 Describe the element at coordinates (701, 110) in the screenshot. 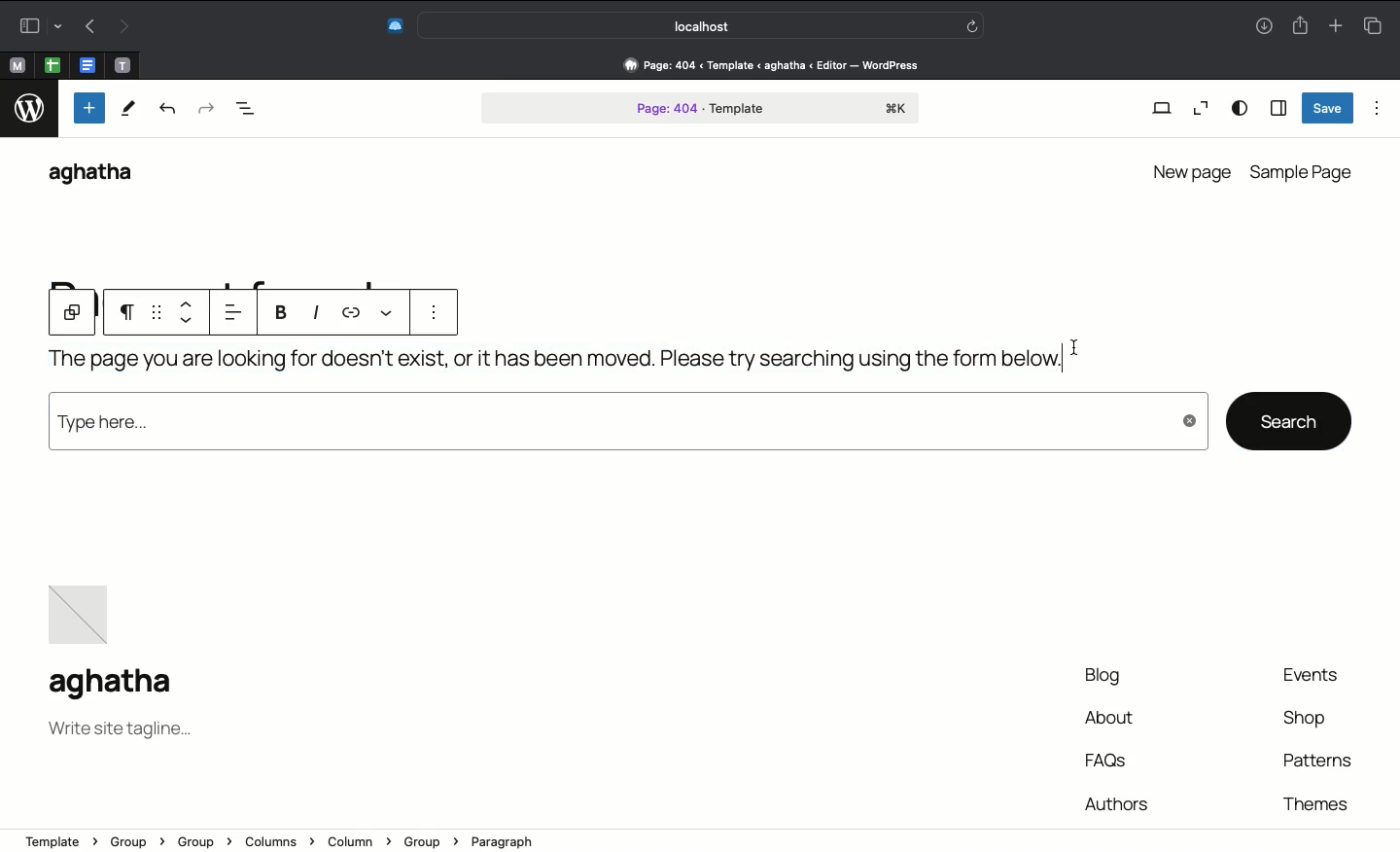

I see `Page 404` at that location.